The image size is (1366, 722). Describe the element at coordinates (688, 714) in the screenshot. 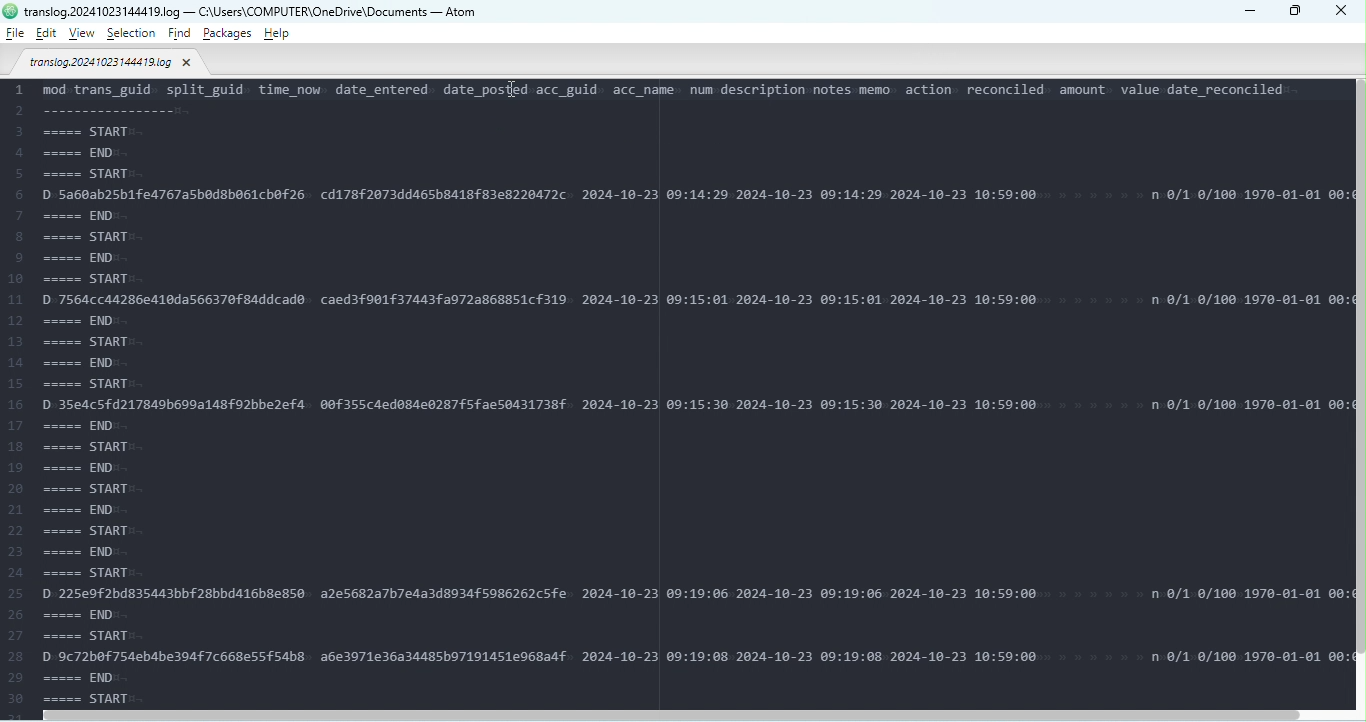

I see `Horizontal scroll bar` at that location.